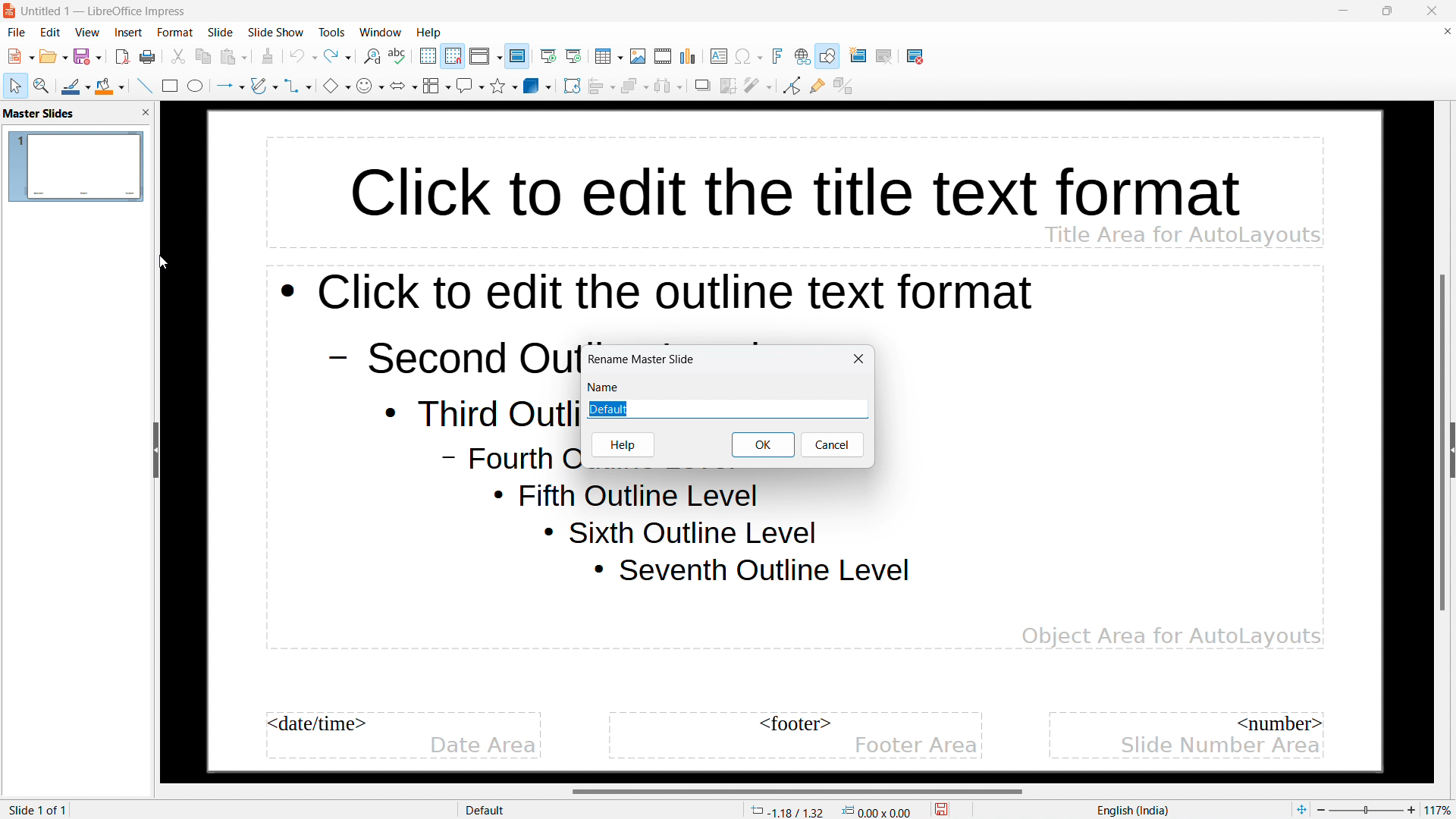 This screenshot has width=1456, height=819. What do you see at coordinates (428, 56) in the screenshot?
I see `display grid` at bounding box center [428, 56].